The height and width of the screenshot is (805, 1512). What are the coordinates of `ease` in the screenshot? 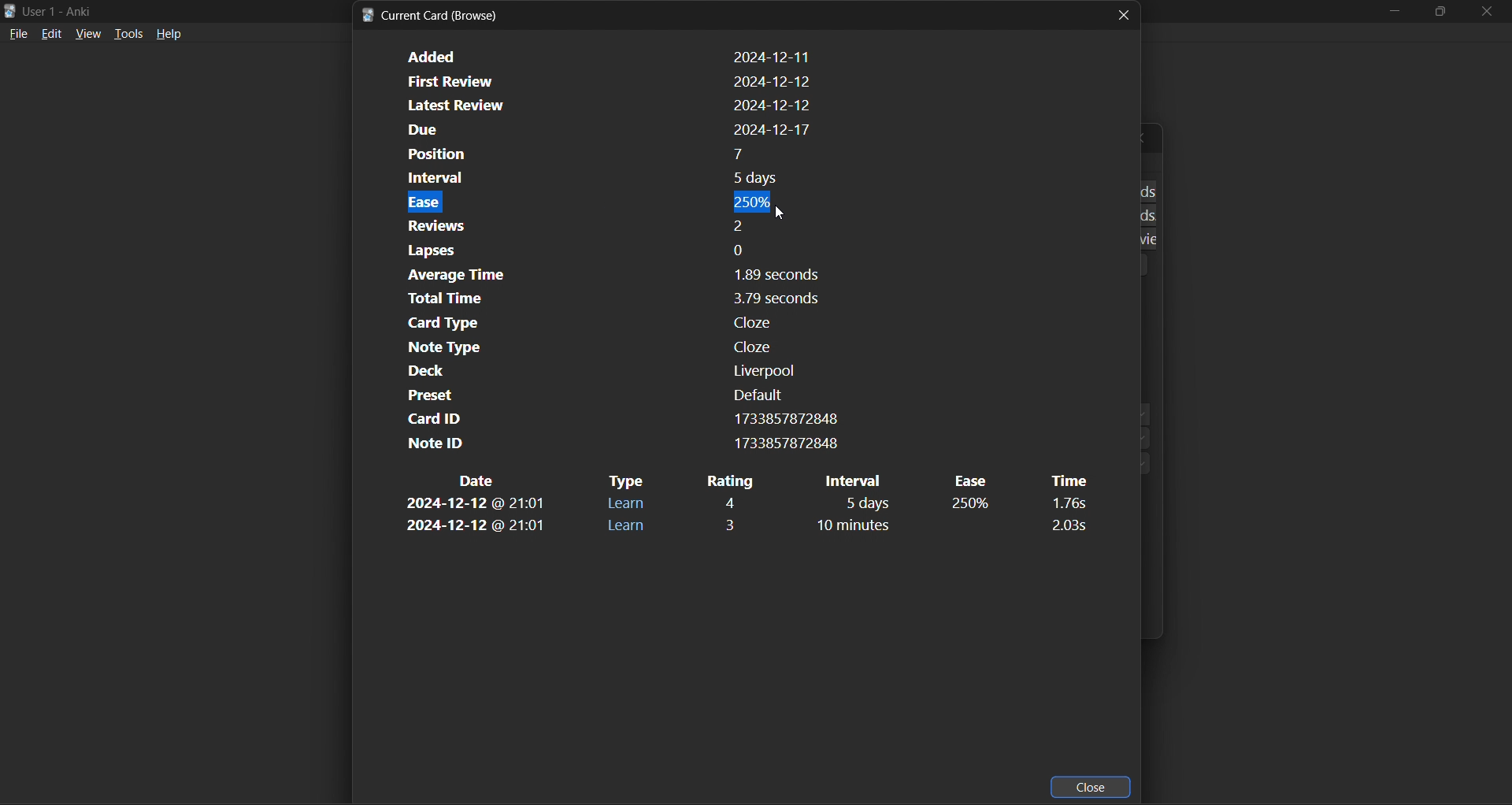 It's located at (971, 505).